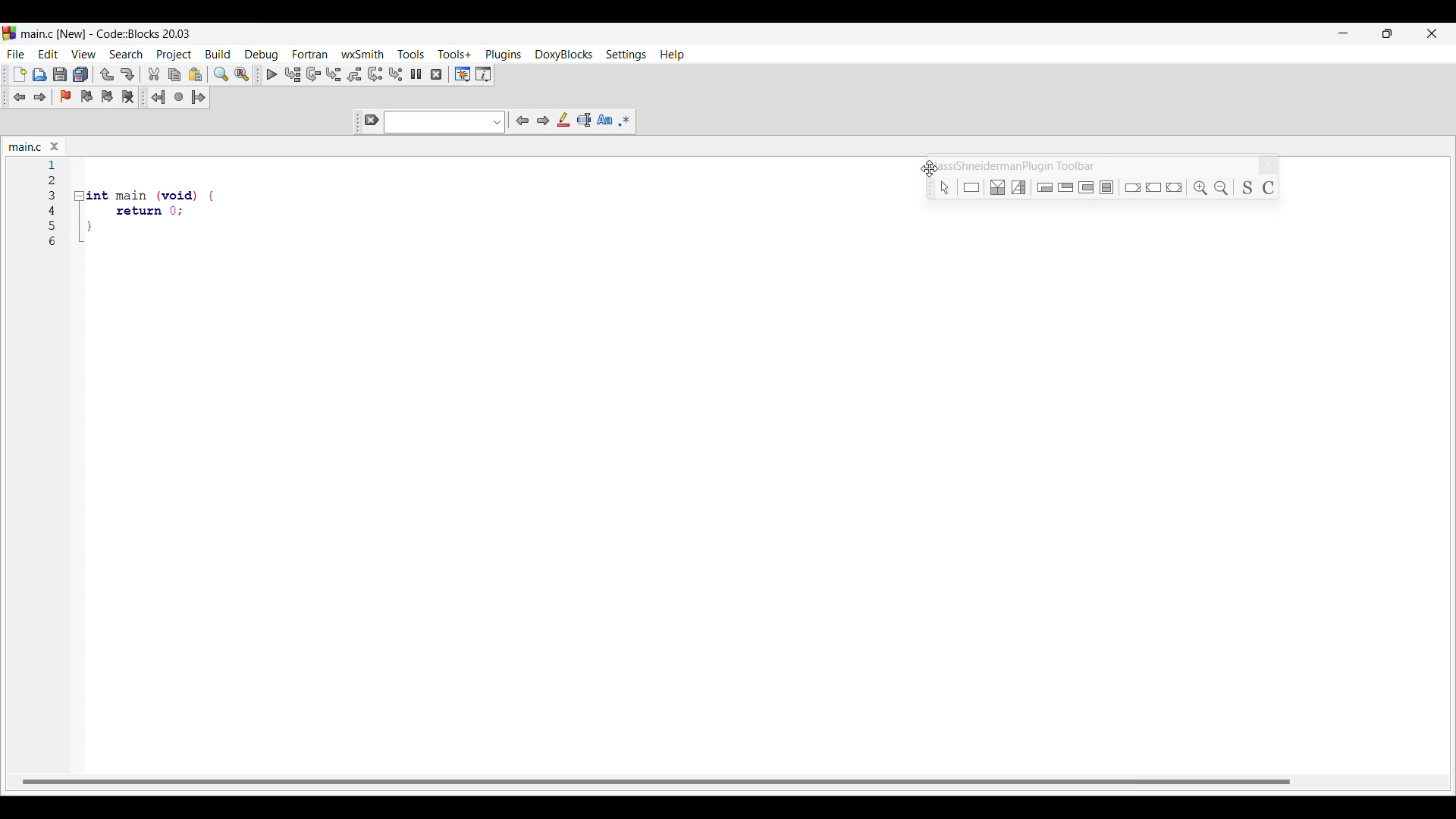 The image size is (1456, 819). Describe the element at coordinates (1155, 186) in the screenshot. I see `` at that location.